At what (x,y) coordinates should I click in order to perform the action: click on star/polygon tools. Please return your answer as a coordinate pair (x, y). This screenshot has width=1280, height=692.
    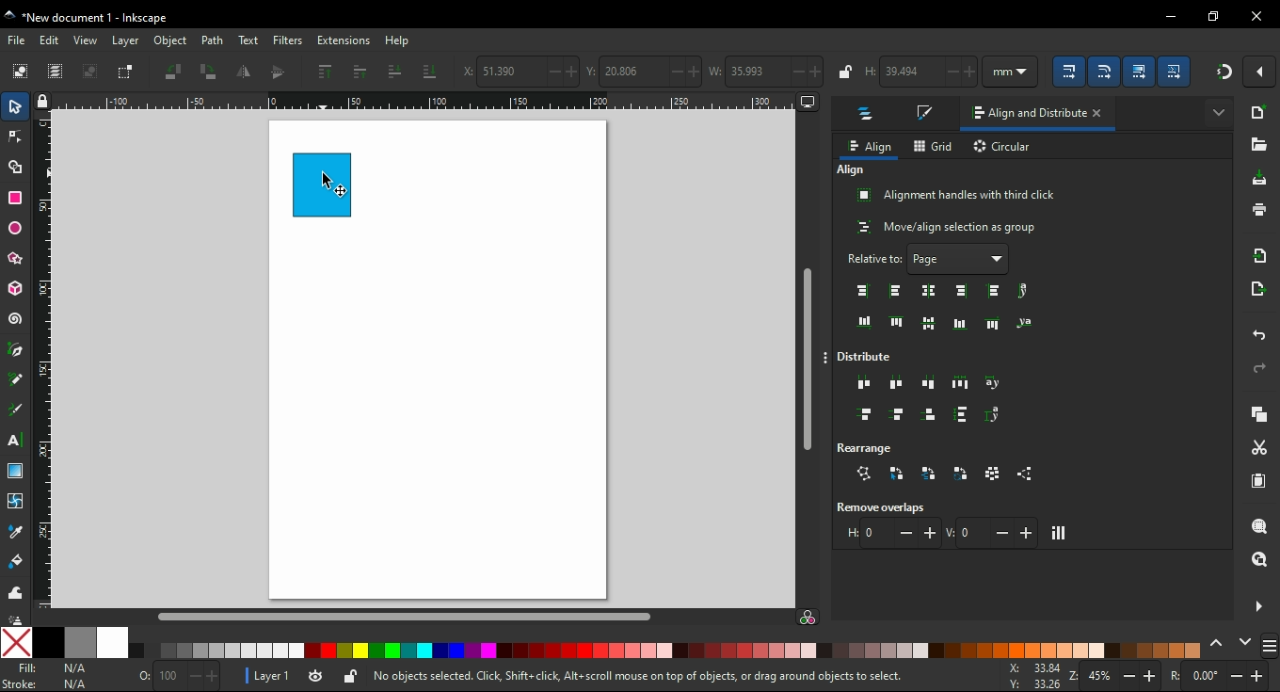
    Looking at the image, I should click on (17, 255).